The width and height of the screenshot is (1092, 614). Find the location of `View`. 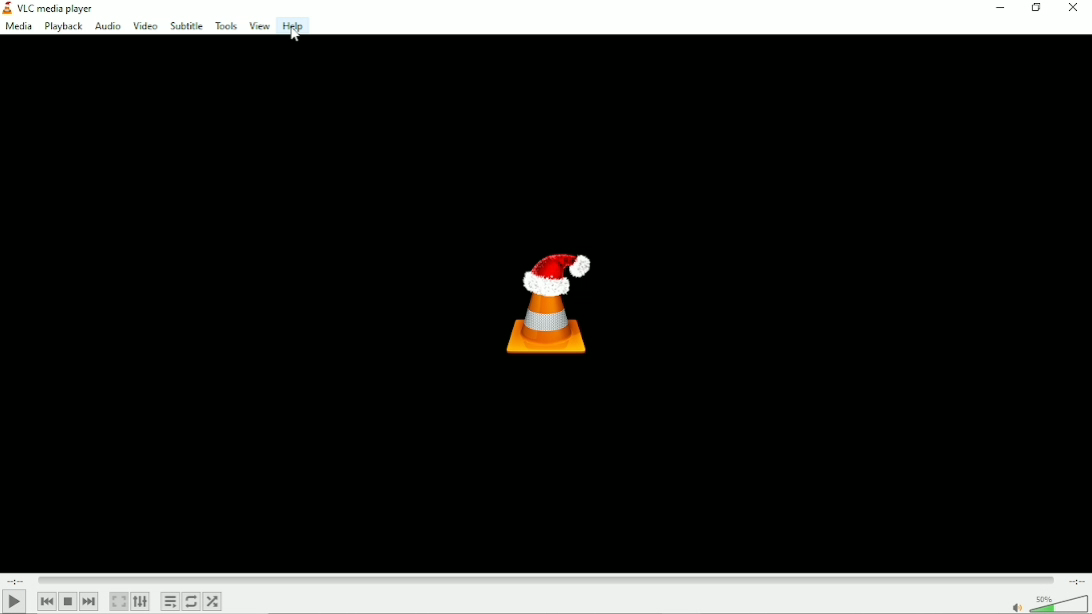

View is located at coordinates (260, 25).